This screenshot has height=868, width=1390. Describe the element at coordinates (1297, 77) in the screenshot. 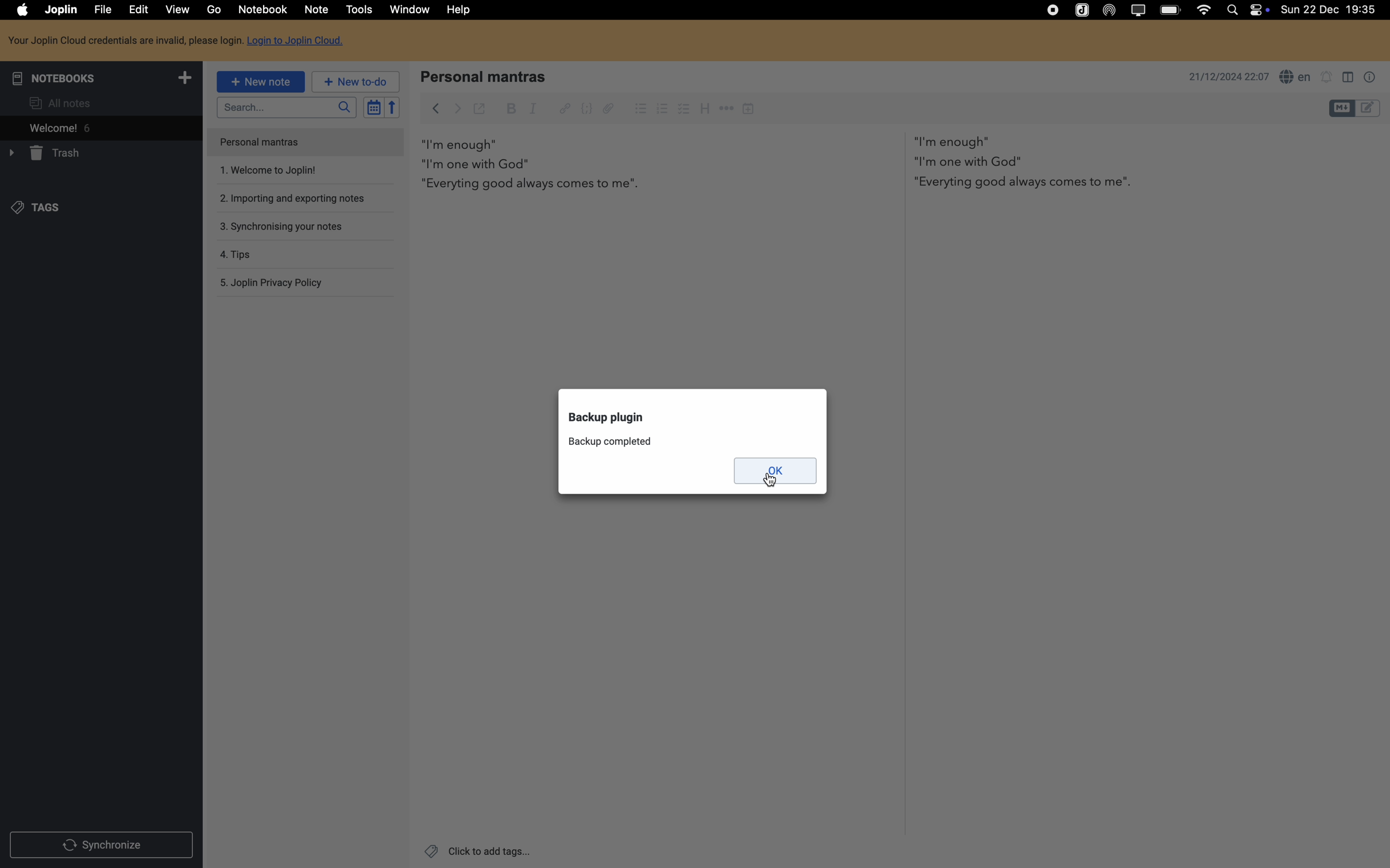

I see `spell checker` at that location.